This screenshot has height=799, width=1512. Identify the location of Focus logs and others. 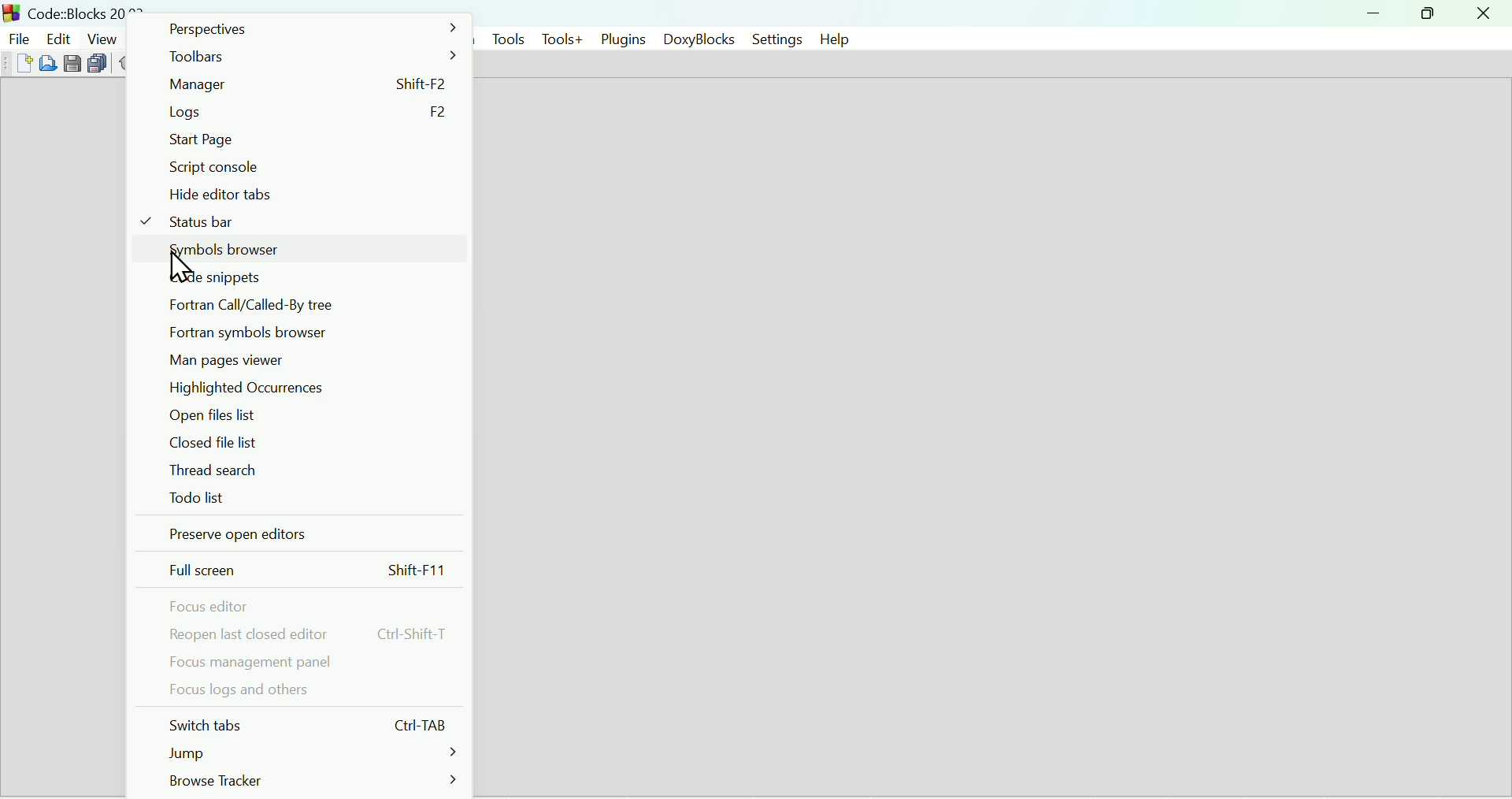
(306, 690).